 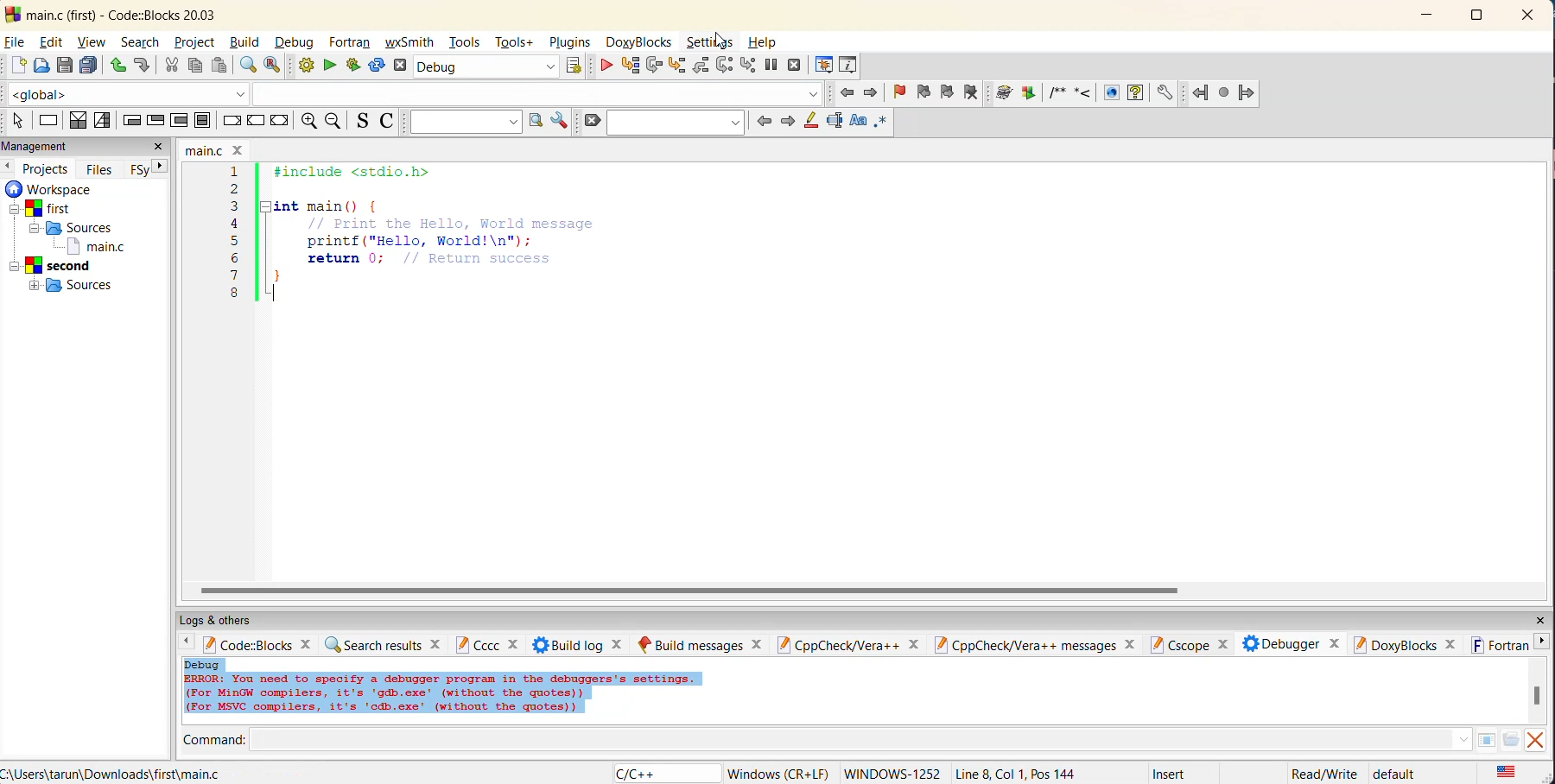 What do you see at coordinates (844, 738) in the screenshot?
I see `command` at bounding box center [844, 738].